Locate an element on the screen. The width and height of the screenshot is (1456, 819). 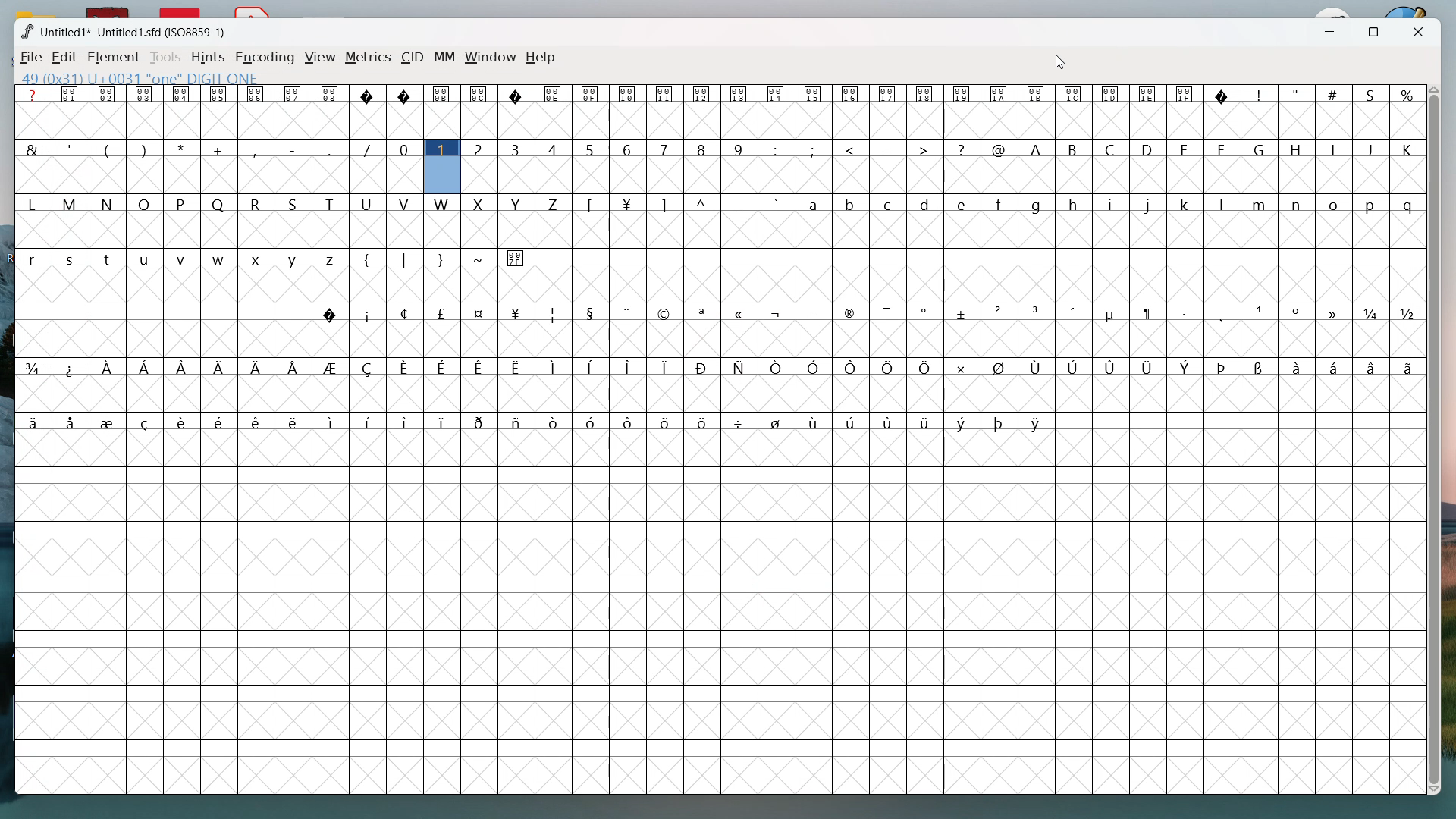
symbol is located at coordinates (108, 368).